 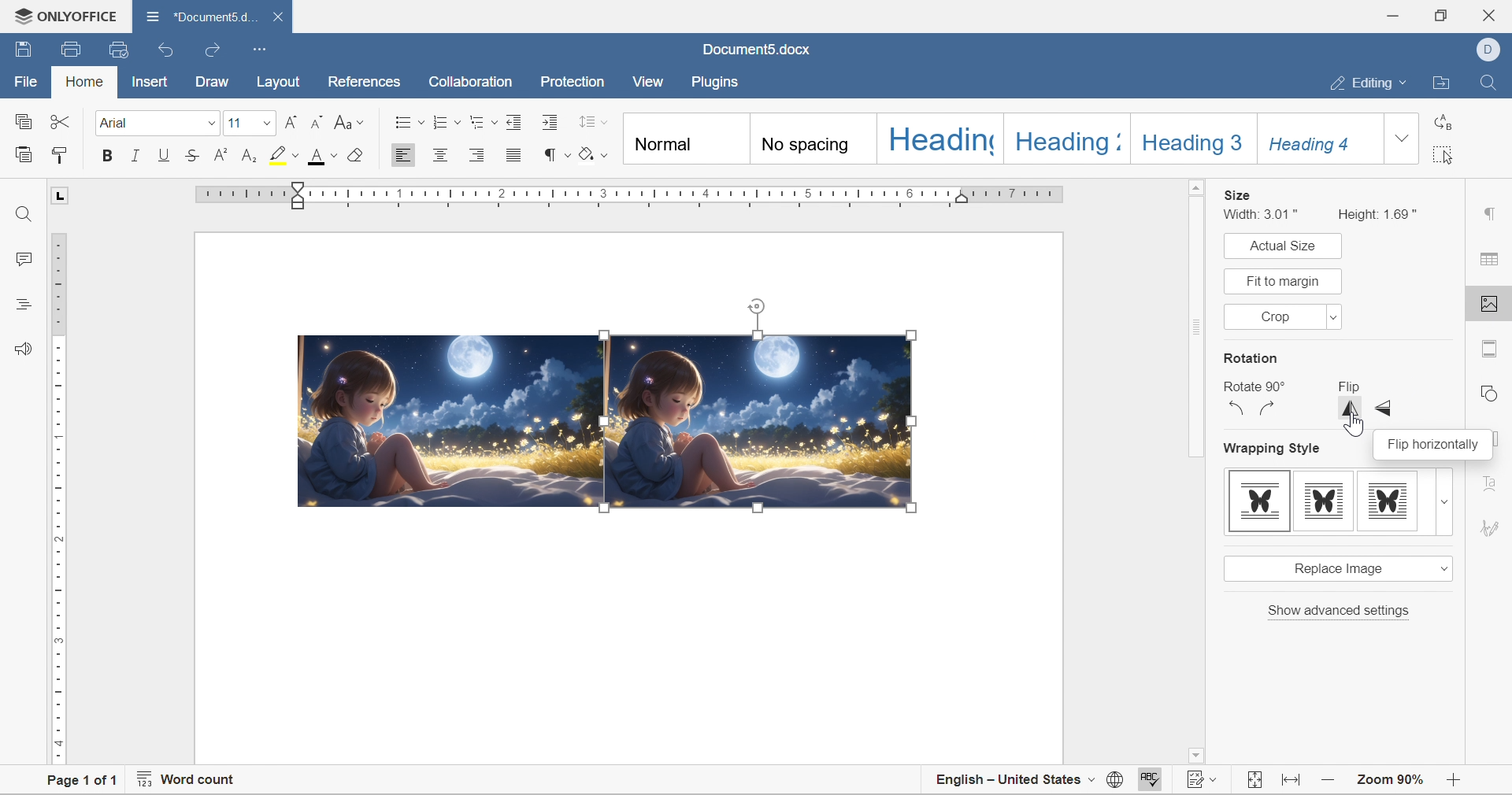 What do you see at coordinates (404, 154) in the screenshot?
I see `Align left` at bounding box center [404, 154].